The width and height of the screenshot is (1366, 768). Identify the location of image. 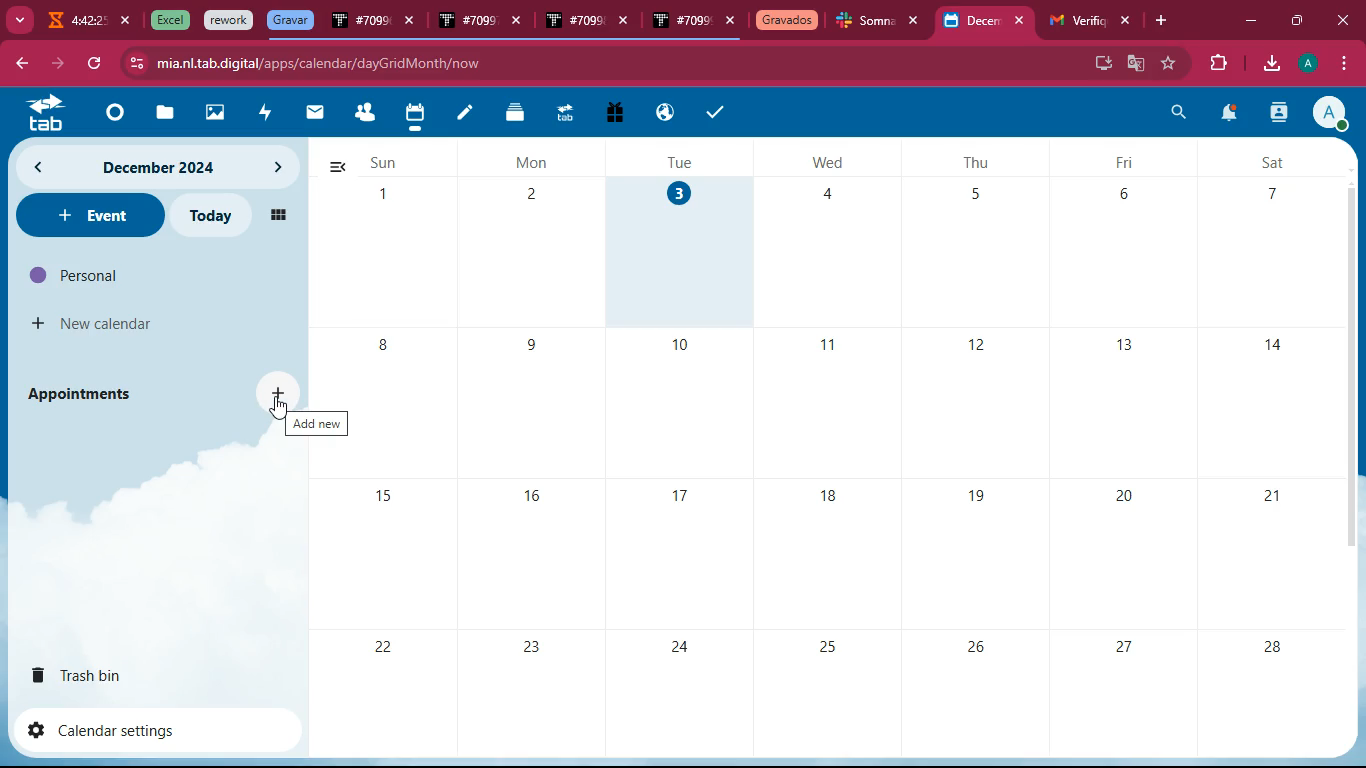
(216, 115).